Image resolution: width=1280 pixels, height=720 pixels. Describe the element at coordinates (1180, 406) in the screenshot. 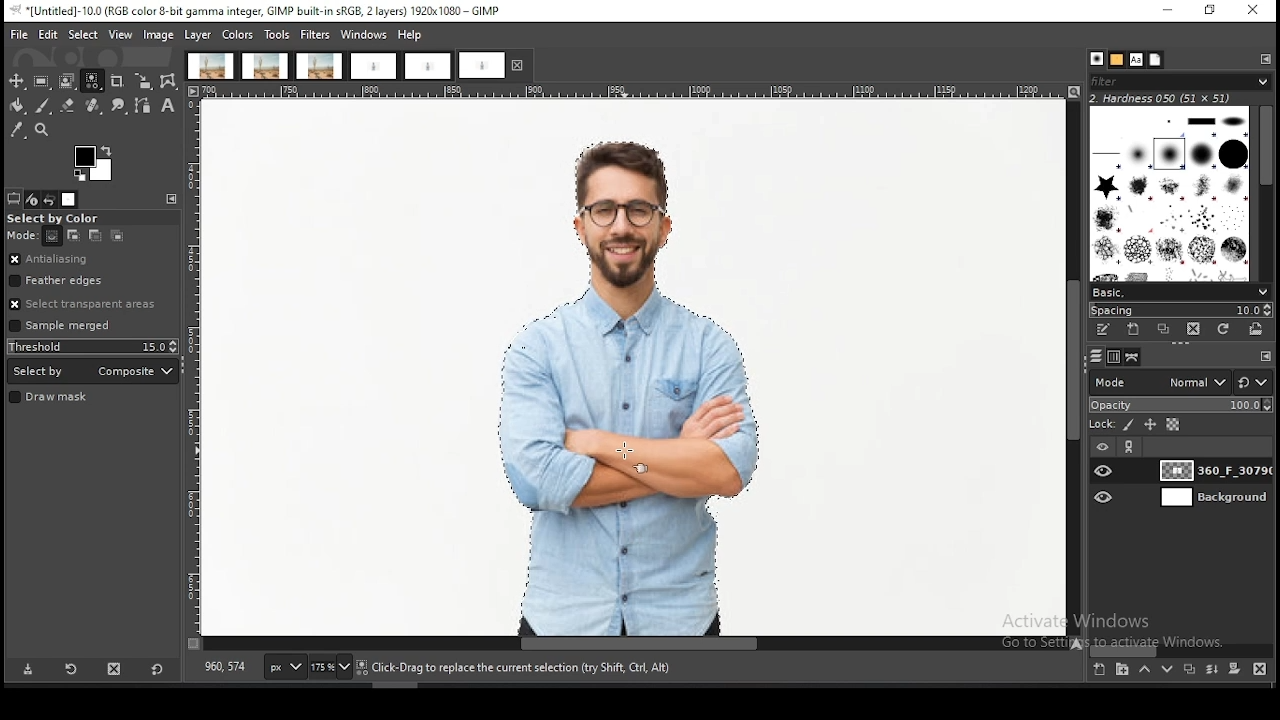

I see `opacity` at that location.